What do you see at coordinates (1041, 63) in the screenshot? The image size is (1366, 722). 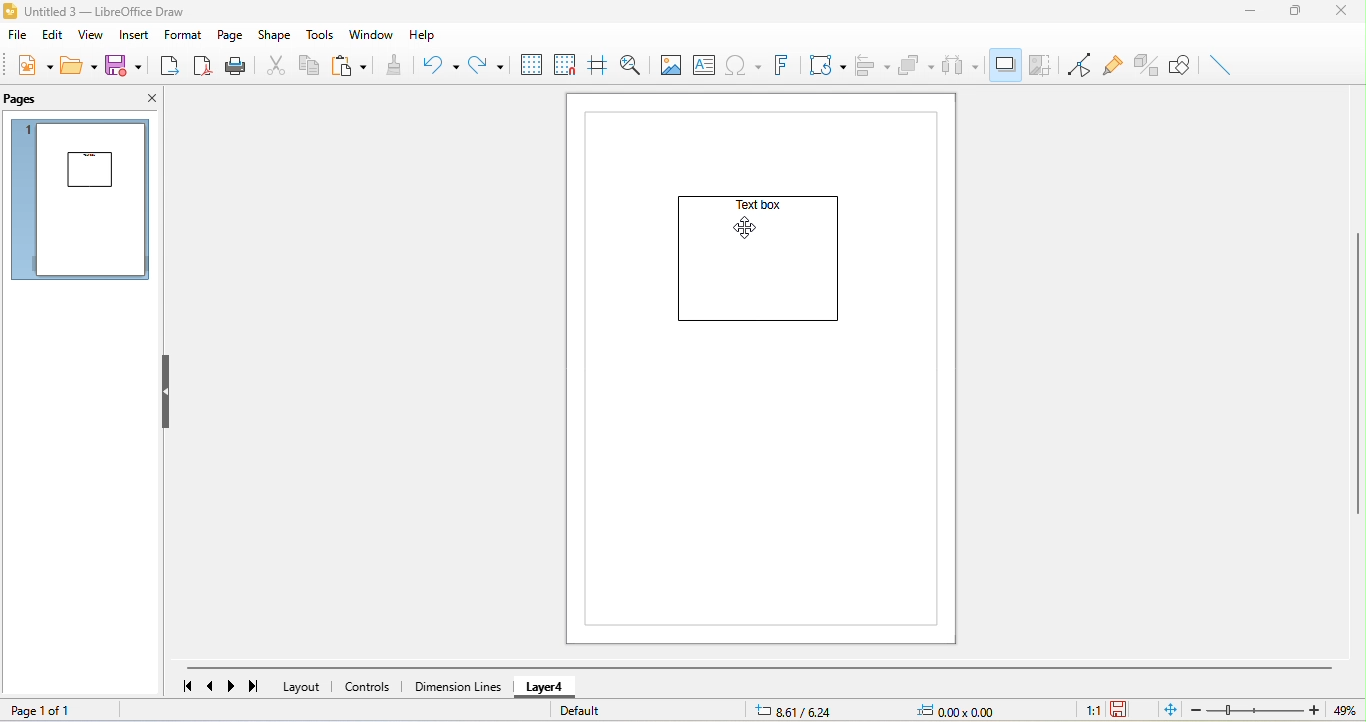 I see `crop image` at bounding box center [1041, 63].